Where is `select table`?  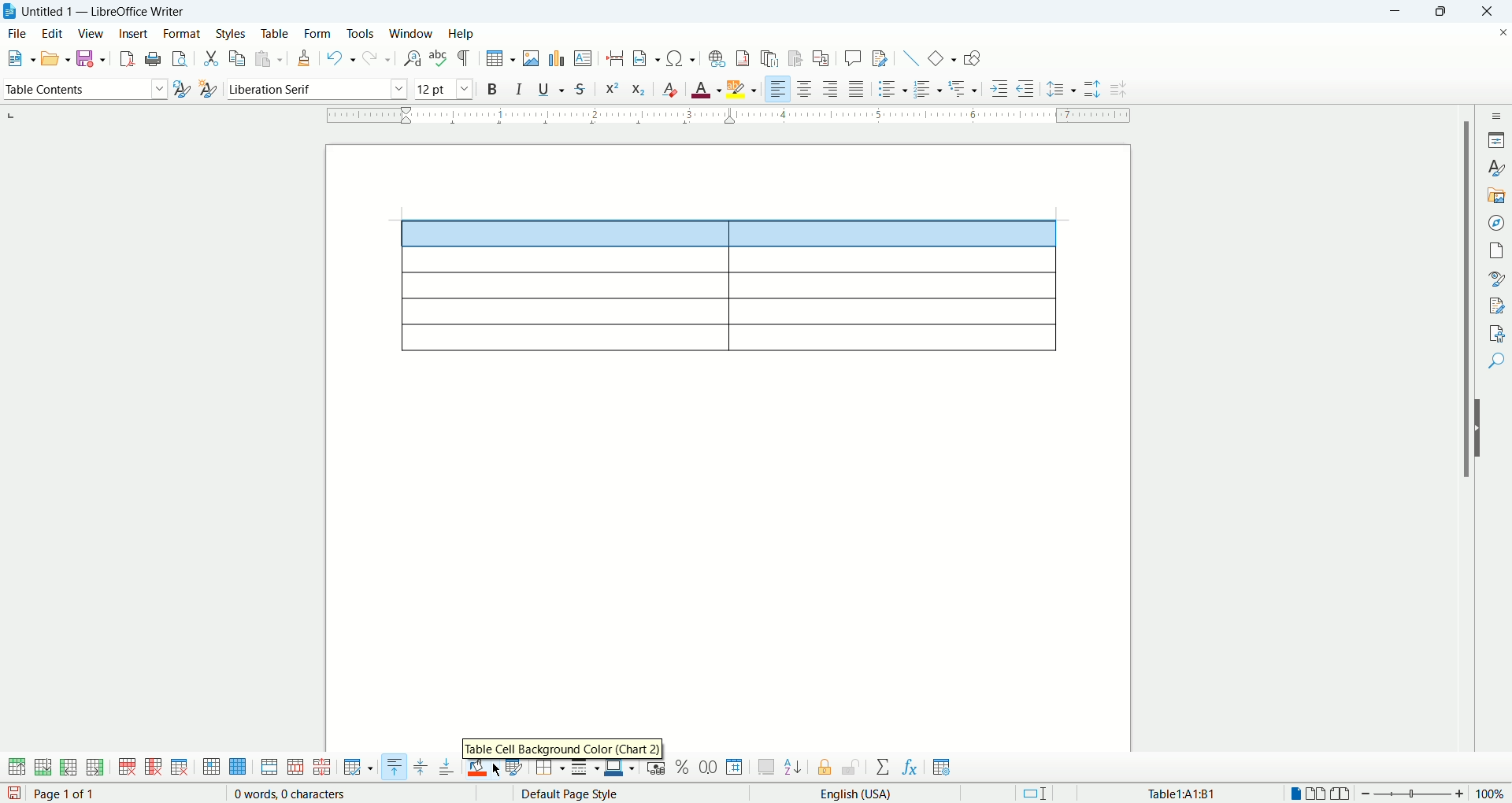 select table is located at coordinates (238, 768).